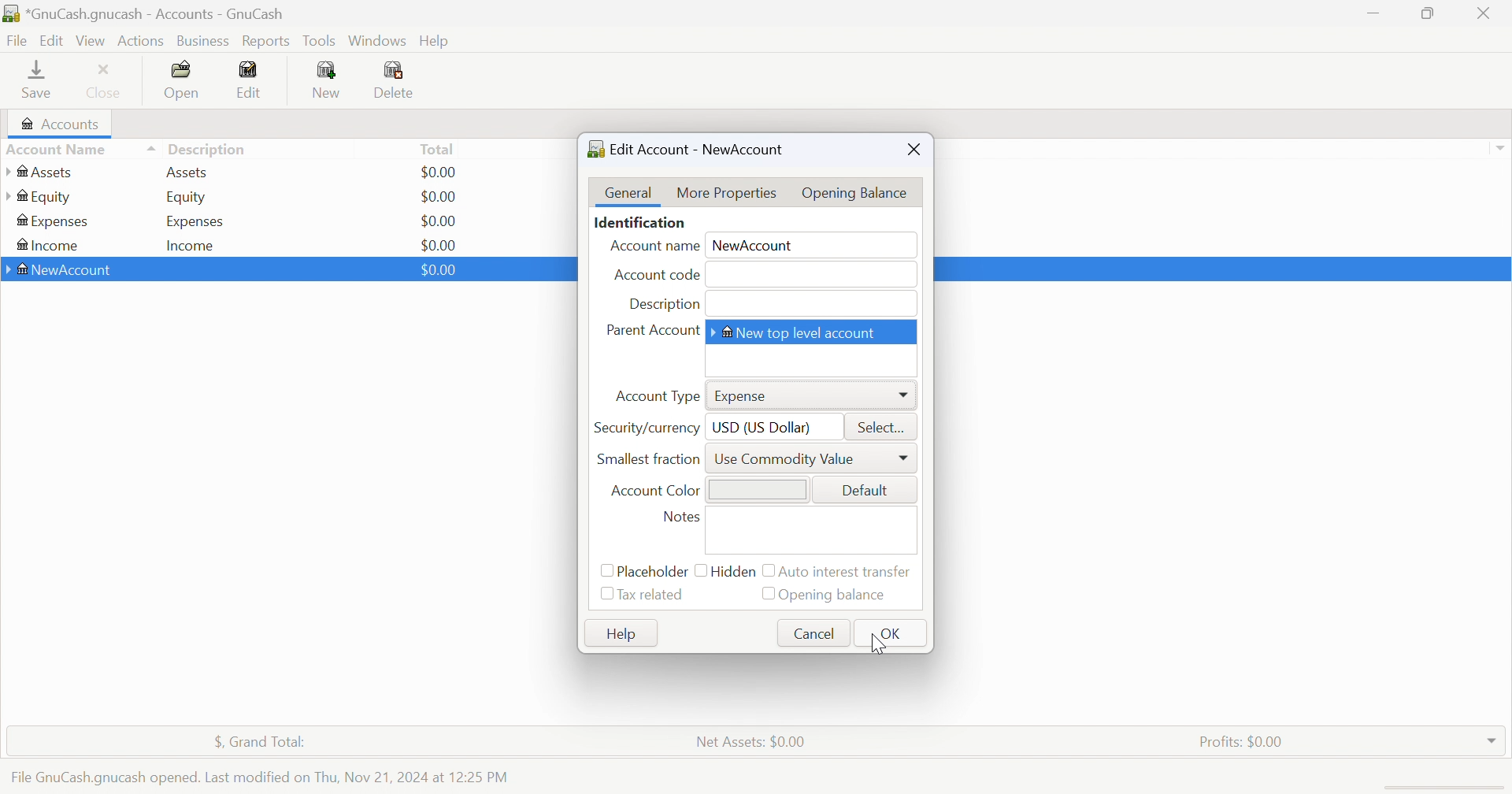 The width and height of the screenshot is (1512, 794). I want to click on Account Name, so click(80, 150).